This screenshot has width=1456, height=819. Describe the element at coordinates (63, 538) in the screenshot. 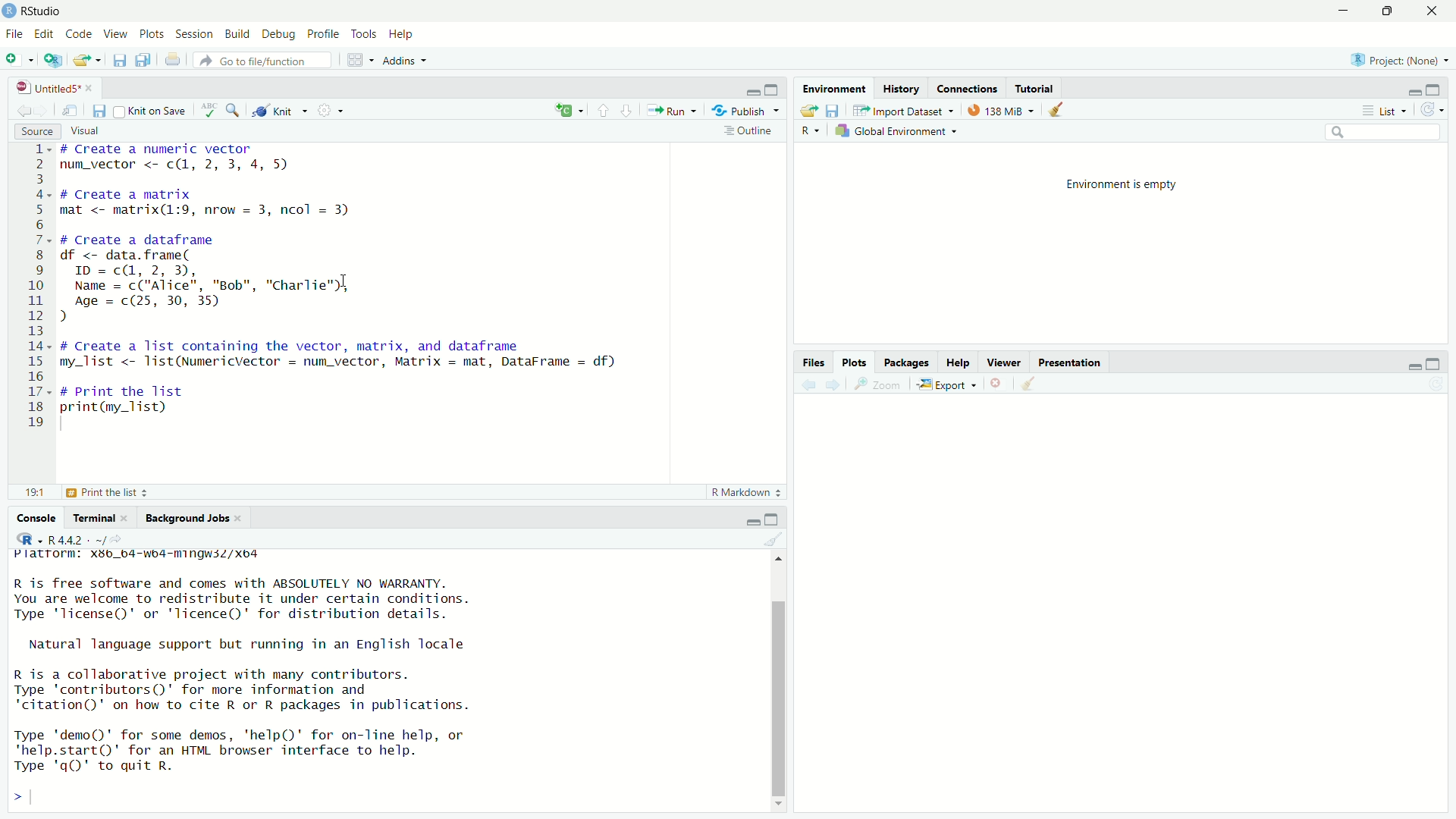

I see `. R442 - ~/` at that location.